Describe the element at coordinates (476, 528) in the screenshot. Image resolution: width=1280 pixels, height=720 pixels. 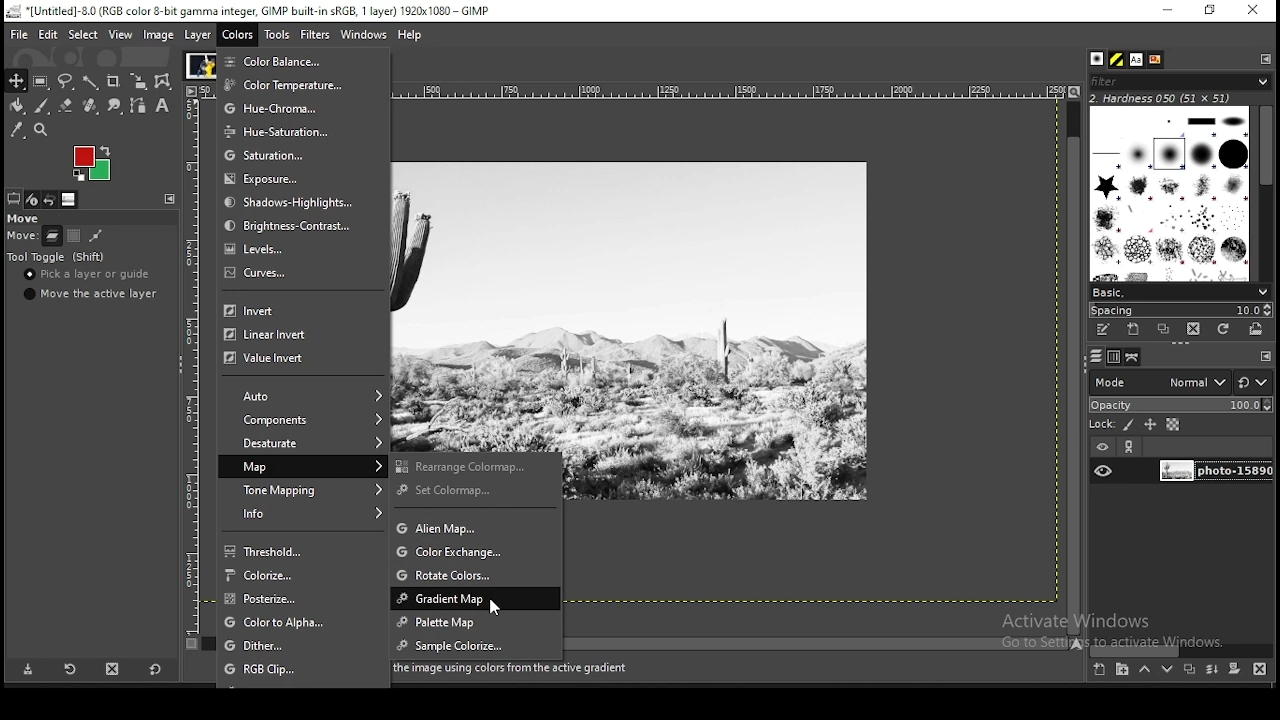
I see `alien map` at that location.